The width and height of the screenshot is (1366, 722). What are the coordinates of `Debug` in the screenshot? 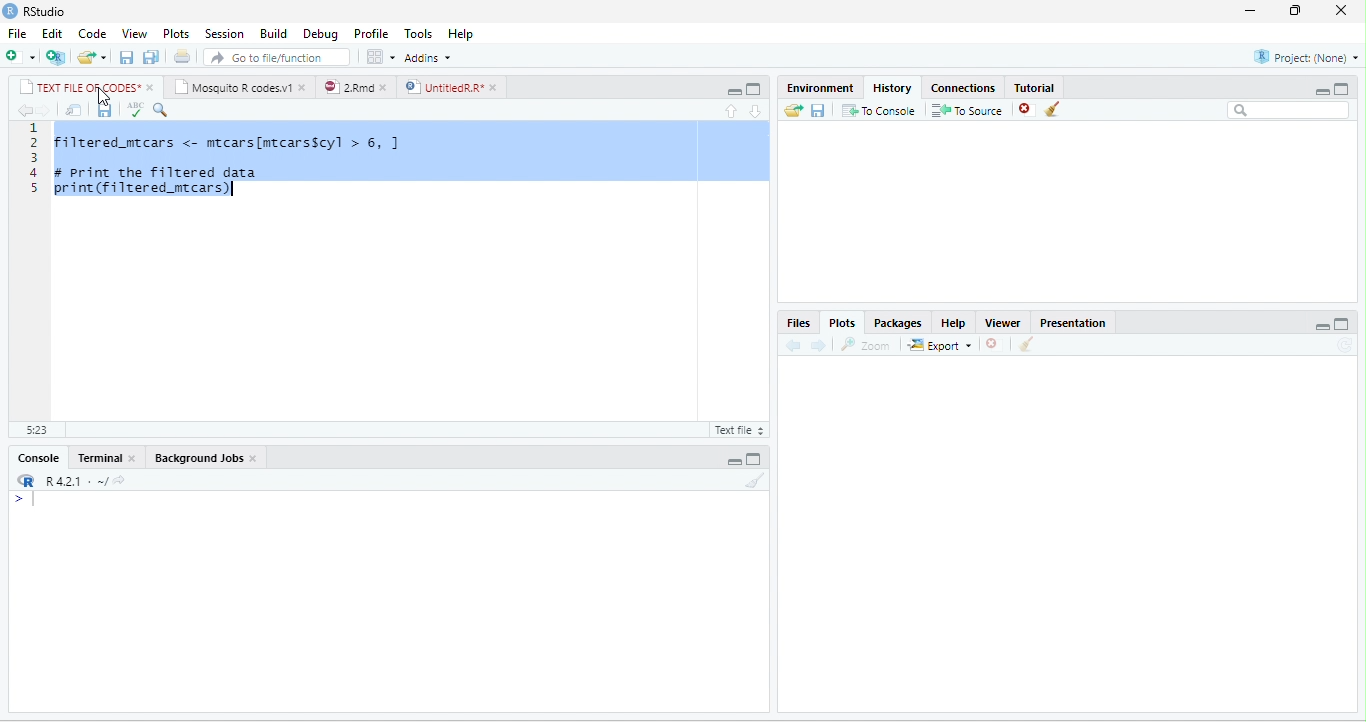 It's located at (320, 35).